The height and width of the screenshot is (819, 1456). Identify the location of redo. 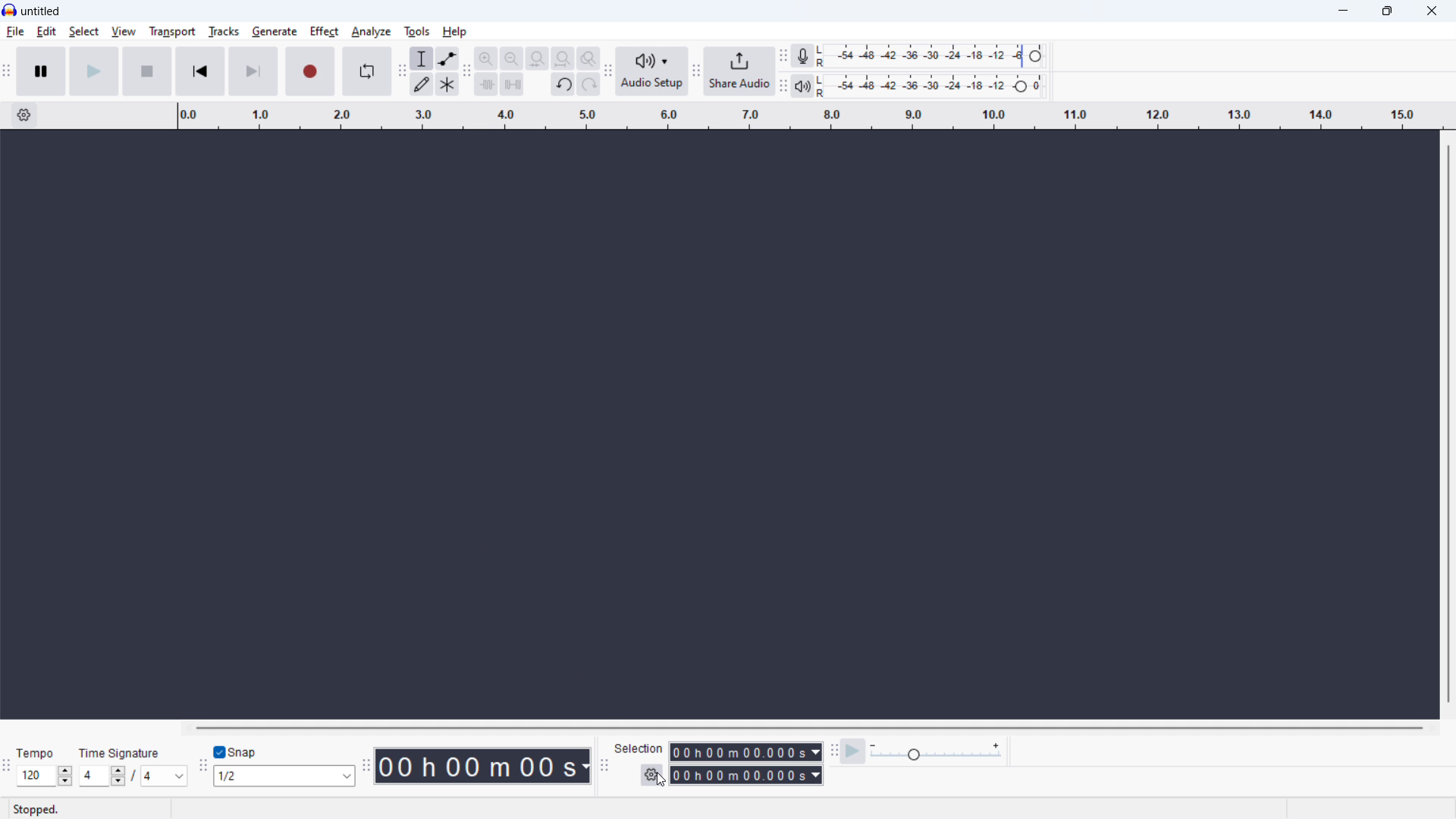
(588, 84).